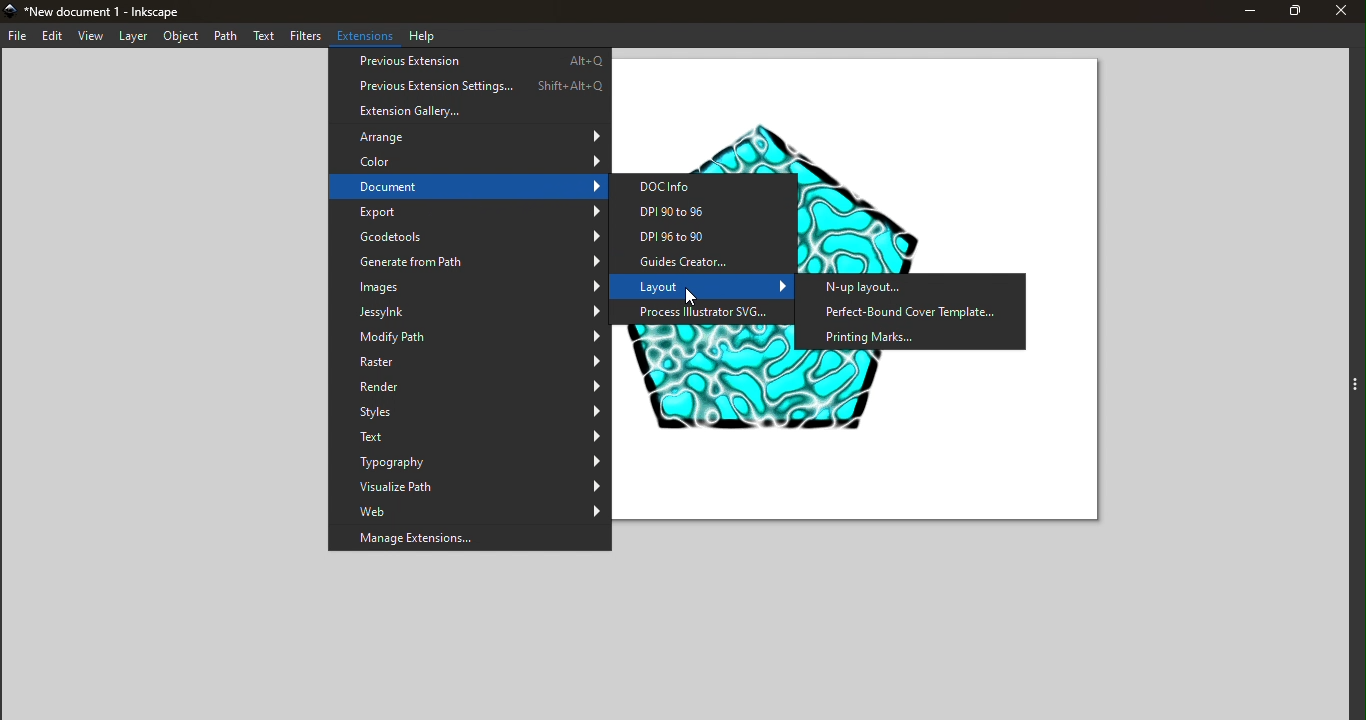  Describe the element at coordinates (469, 188) in the screenshot. I see `Document` at that location.